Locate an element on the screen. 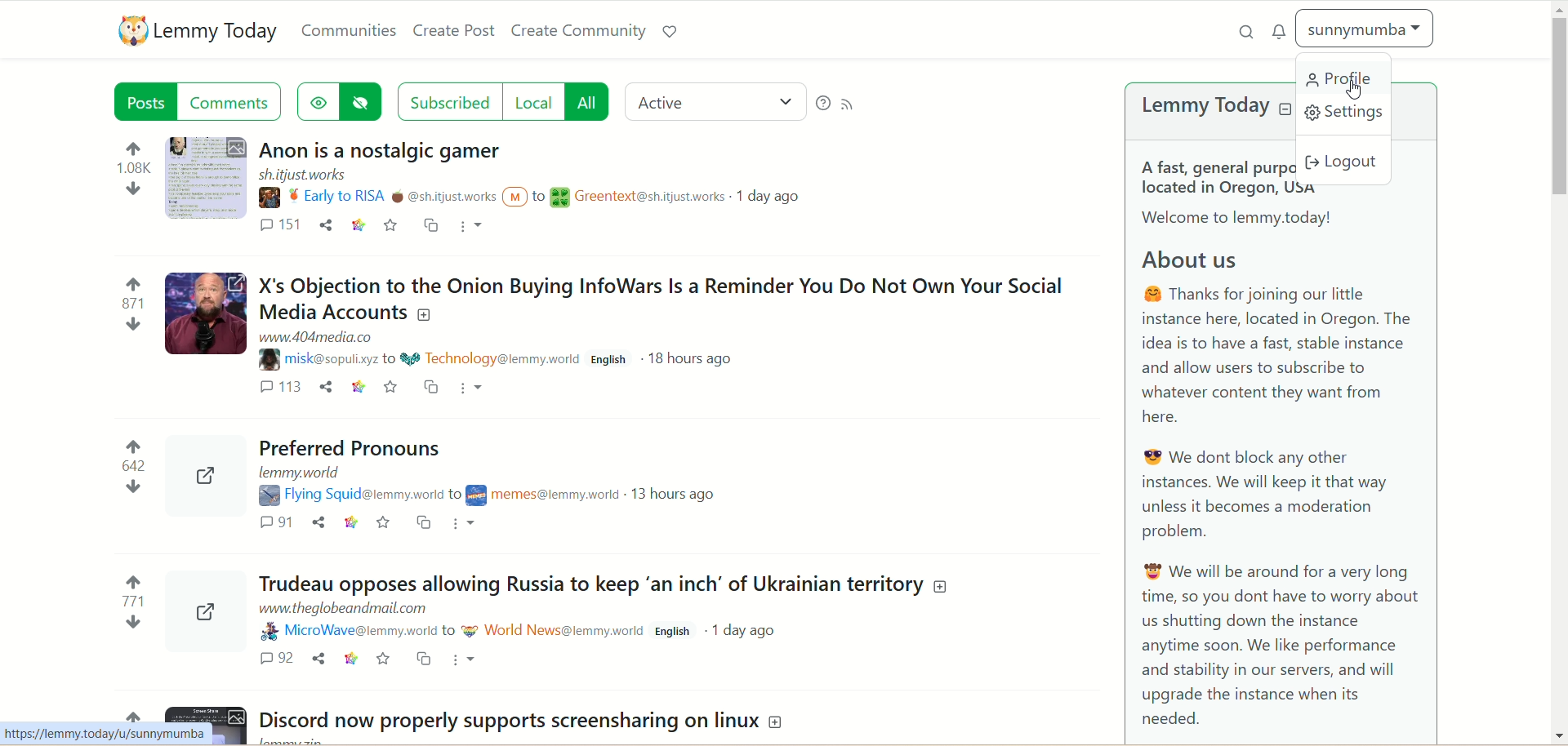  Cross post is located at coordinates (425, 659).